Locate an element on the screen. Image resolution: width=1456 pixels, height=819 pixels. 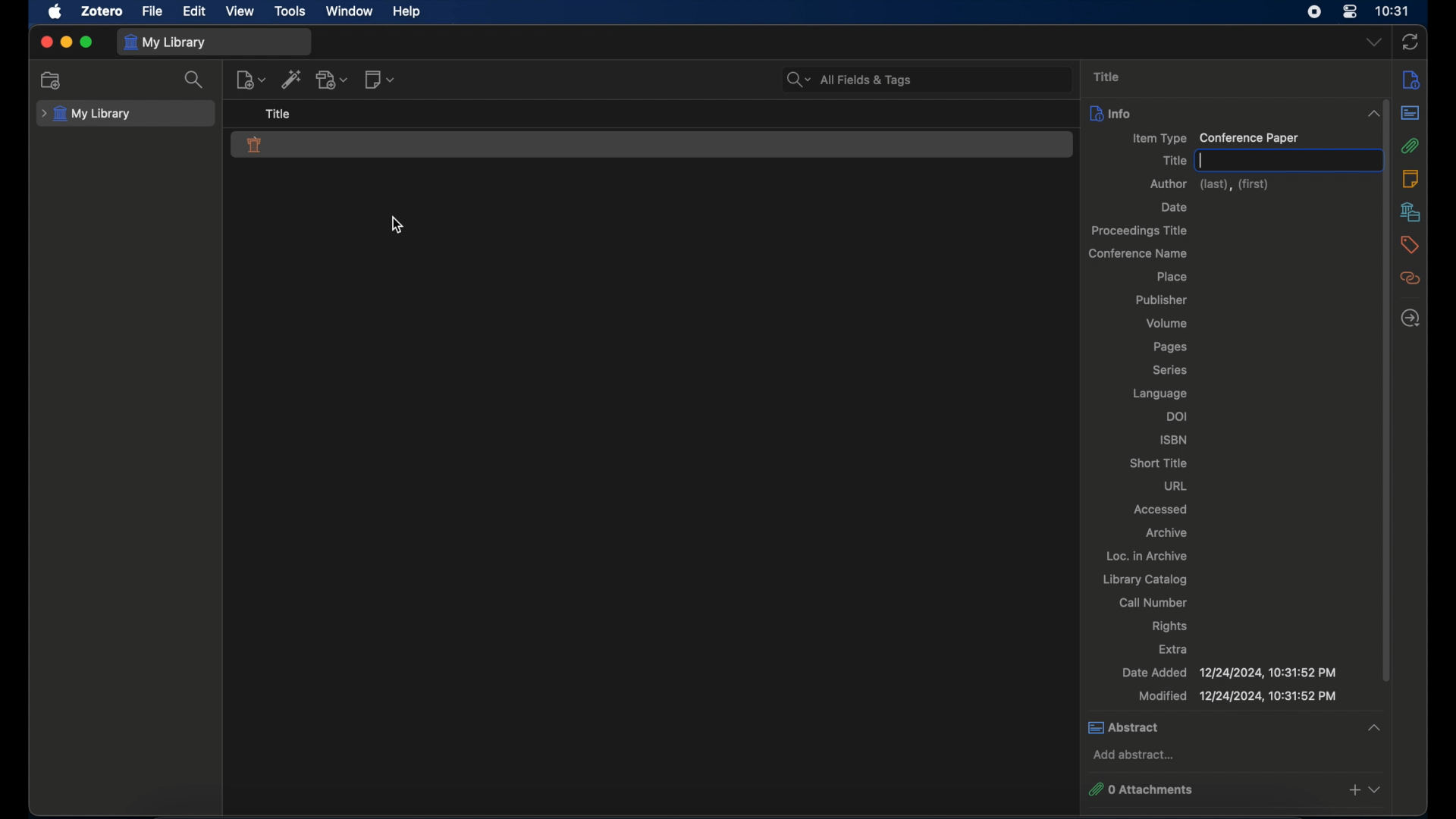
my library is located at coordinates (167, 43).